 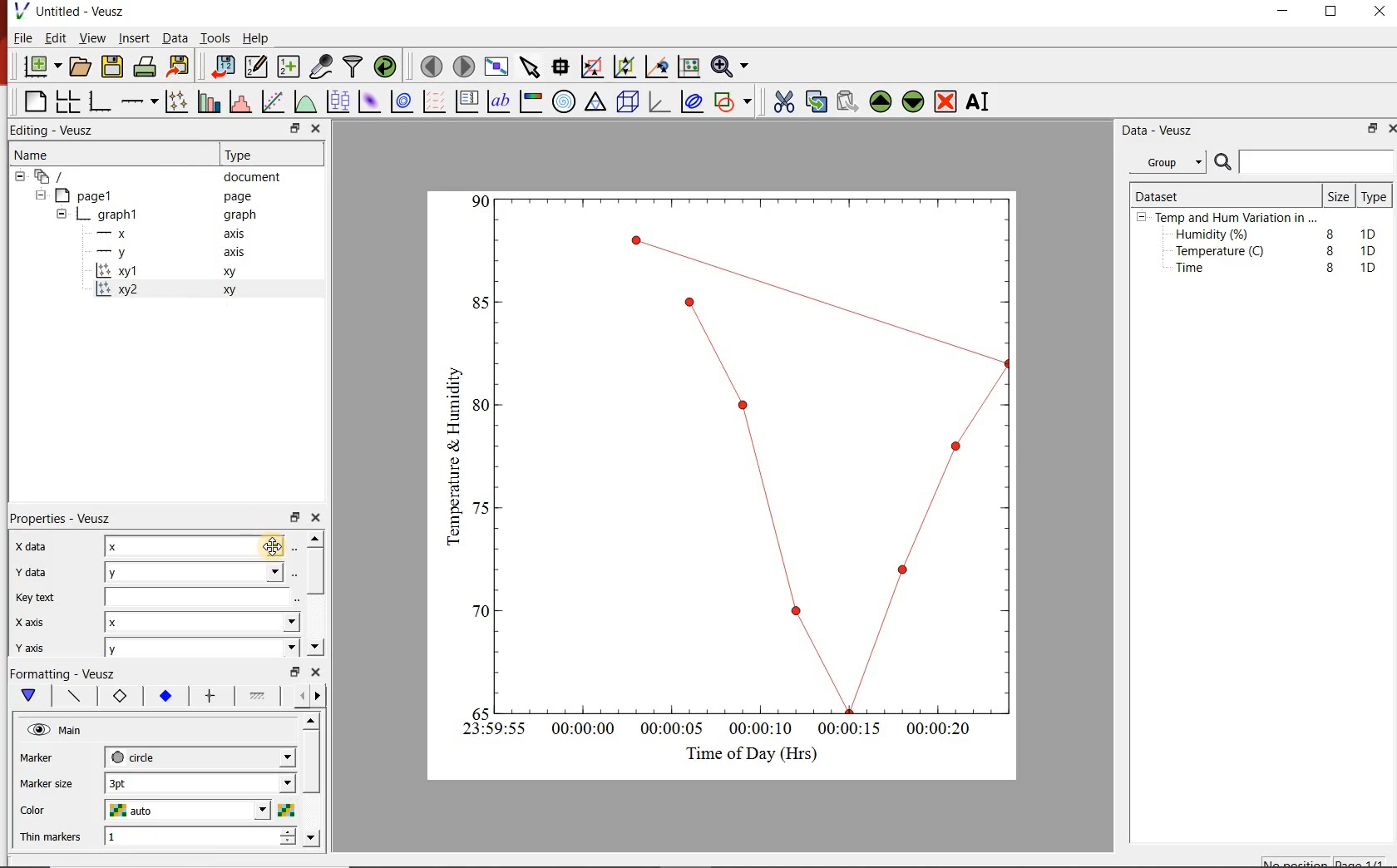 What do you see at coordinates (122, 289) in the screenshot?
I see `xy2` at bounding box center [122, 289].